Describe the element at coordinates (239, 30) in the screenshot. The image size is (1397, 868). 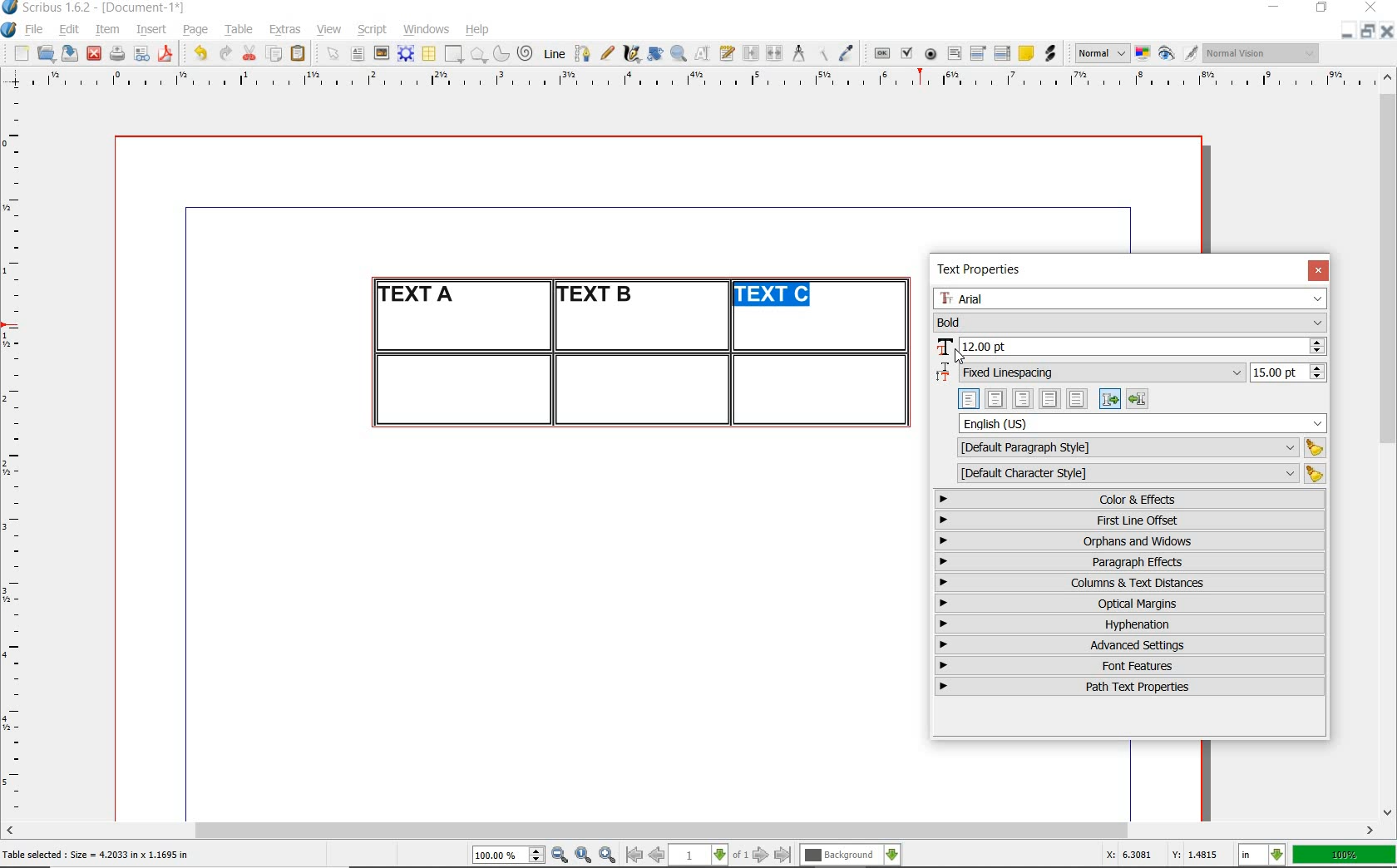
I see `table` at that location.